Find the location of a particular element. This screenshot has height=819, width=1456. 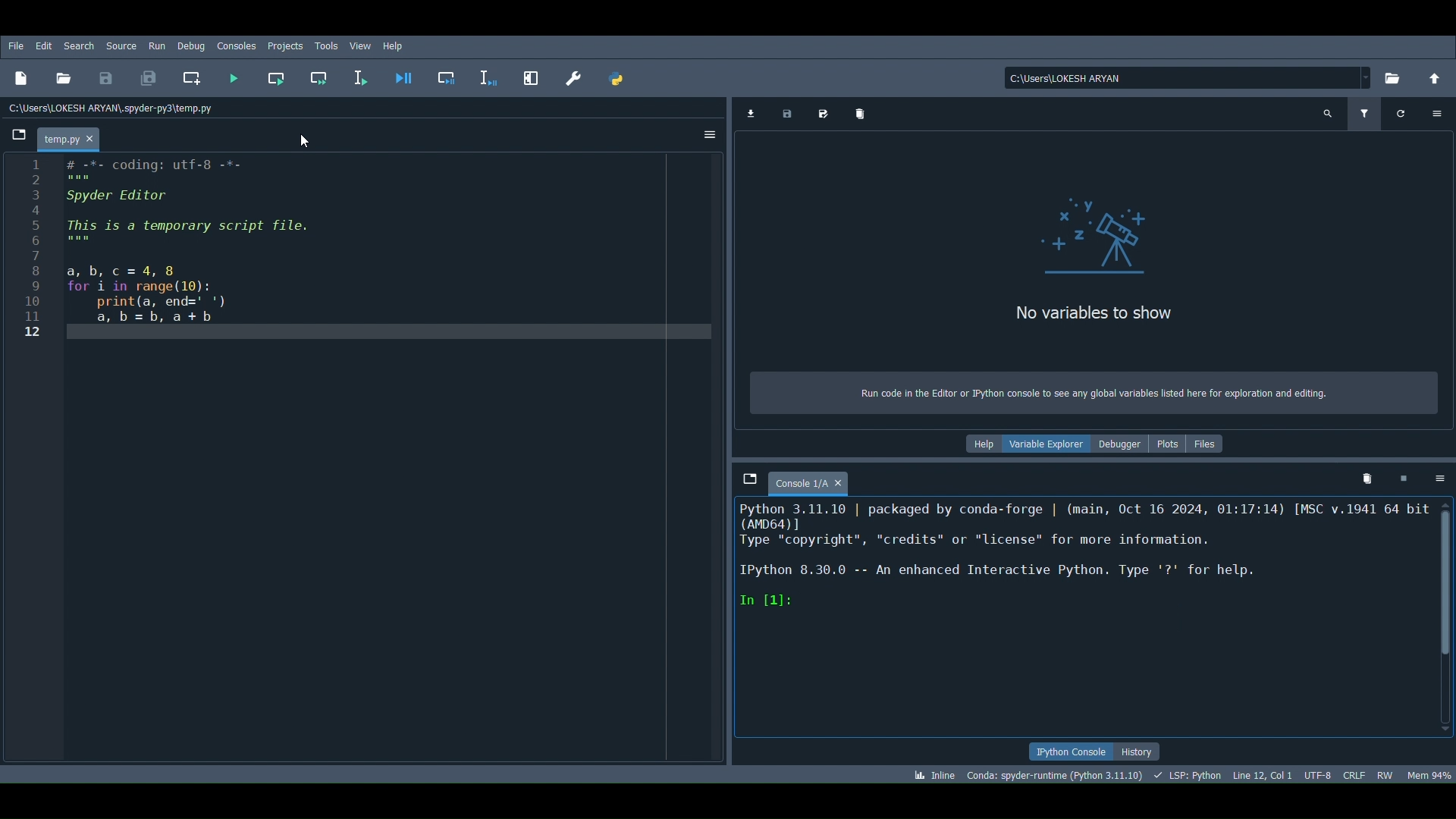

Cursor is located at coordinates (304, 139).